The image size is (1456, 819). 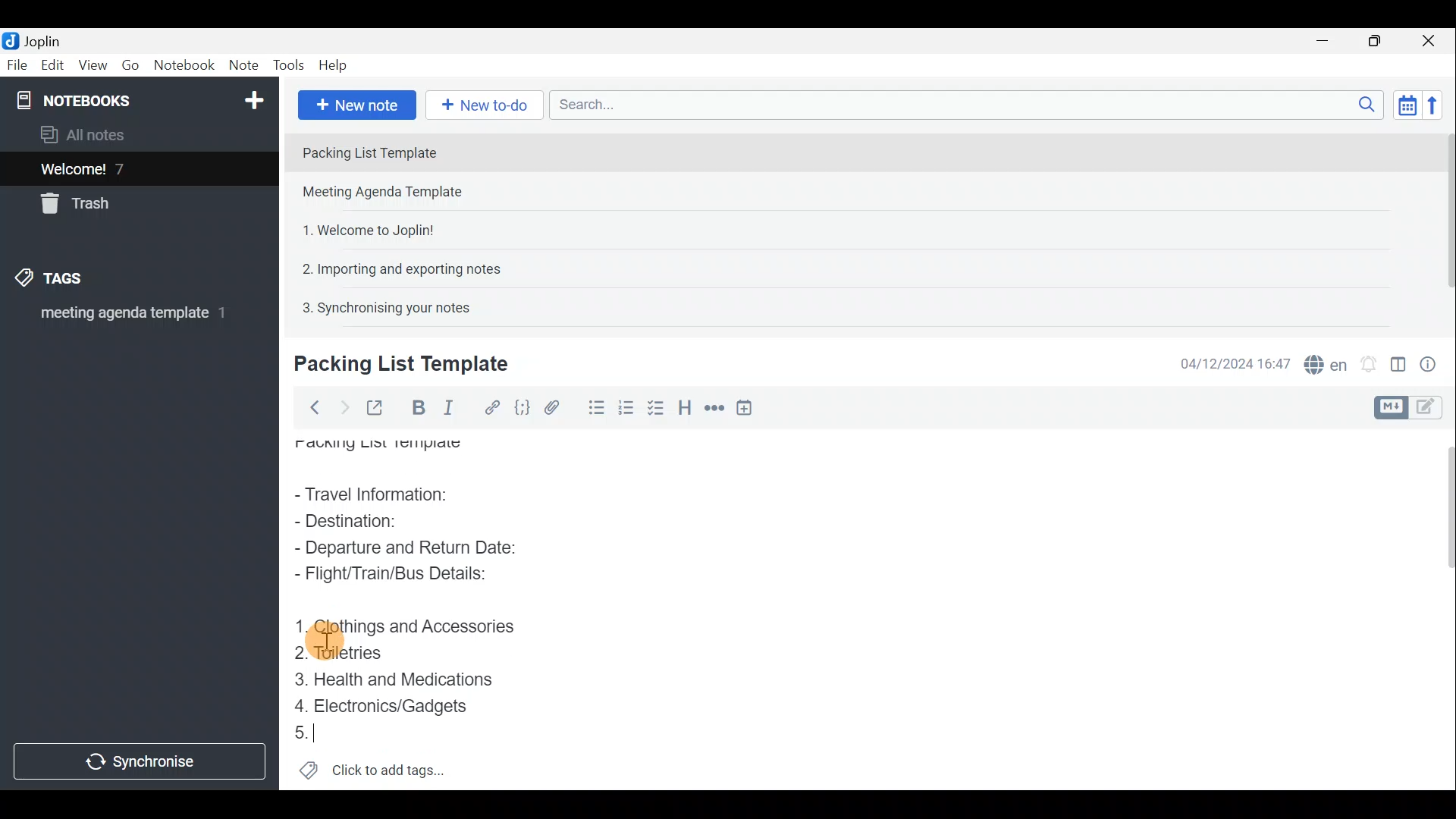 What do you see at coordinates (552, 406) in the screenshot?
I see `Attach file` at bounding box center [552, 406].